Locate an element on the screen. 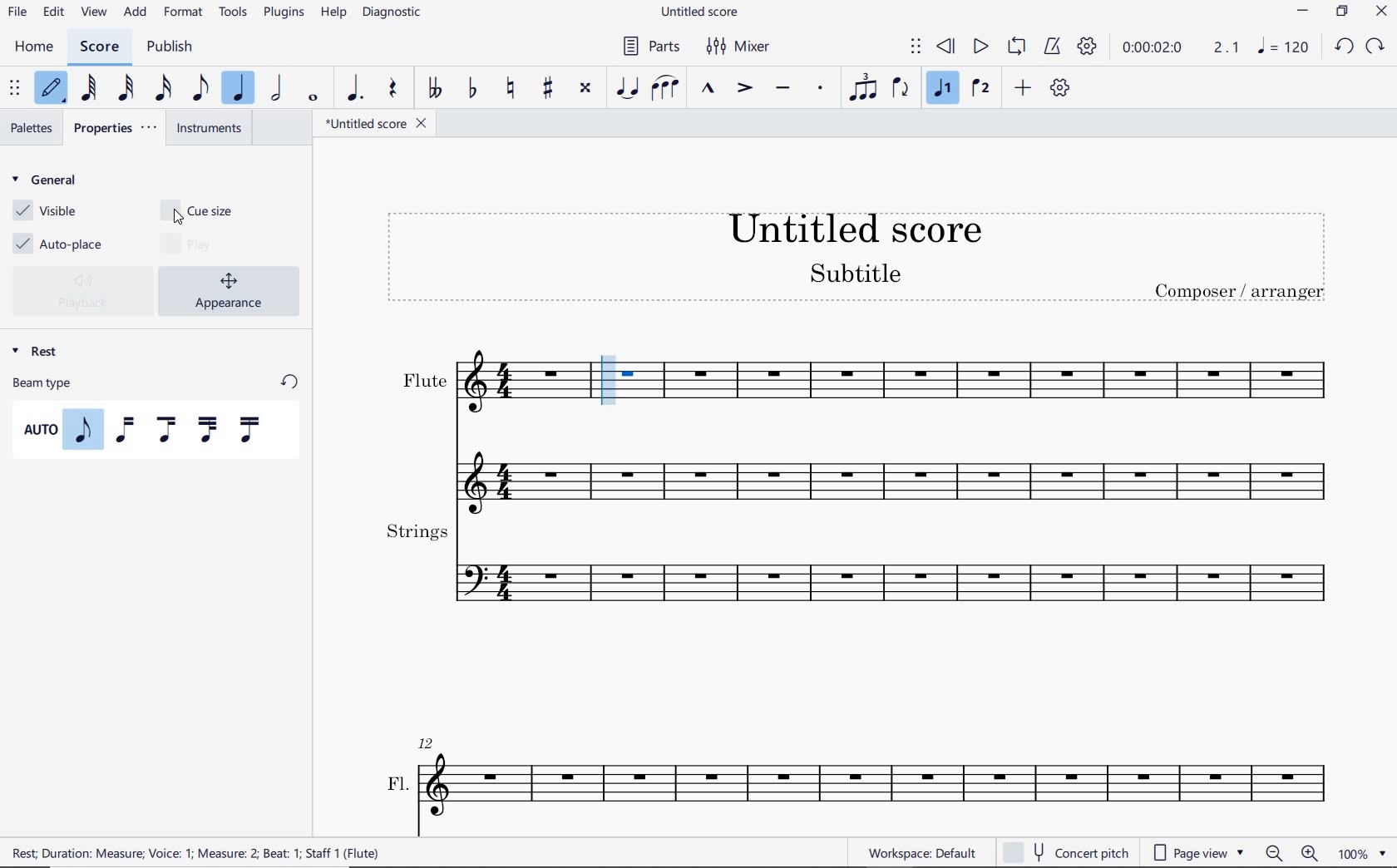  ACCENT is located at coordinates (745, 89).